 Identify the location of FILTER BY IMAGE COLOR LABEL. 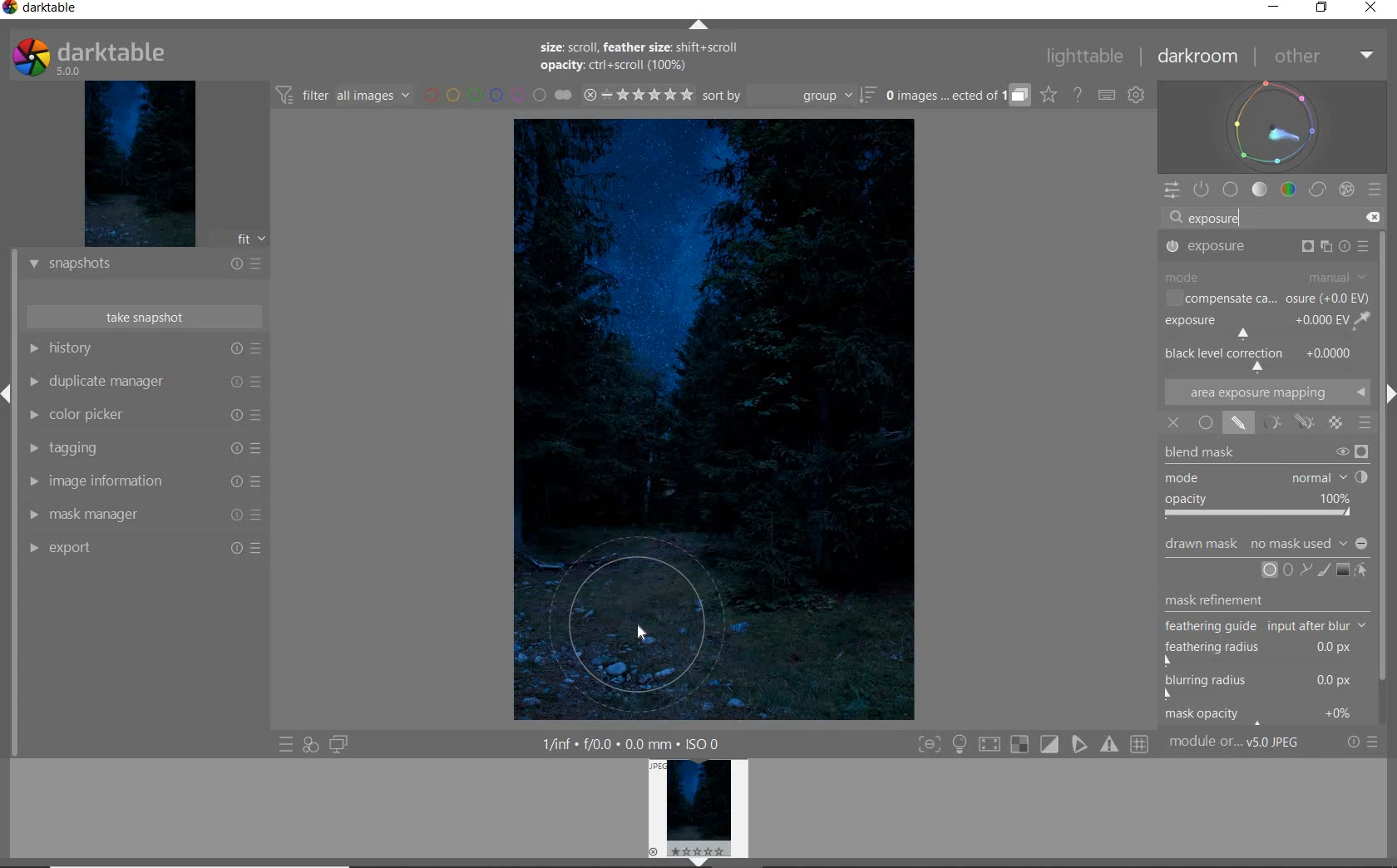
(498, 96).